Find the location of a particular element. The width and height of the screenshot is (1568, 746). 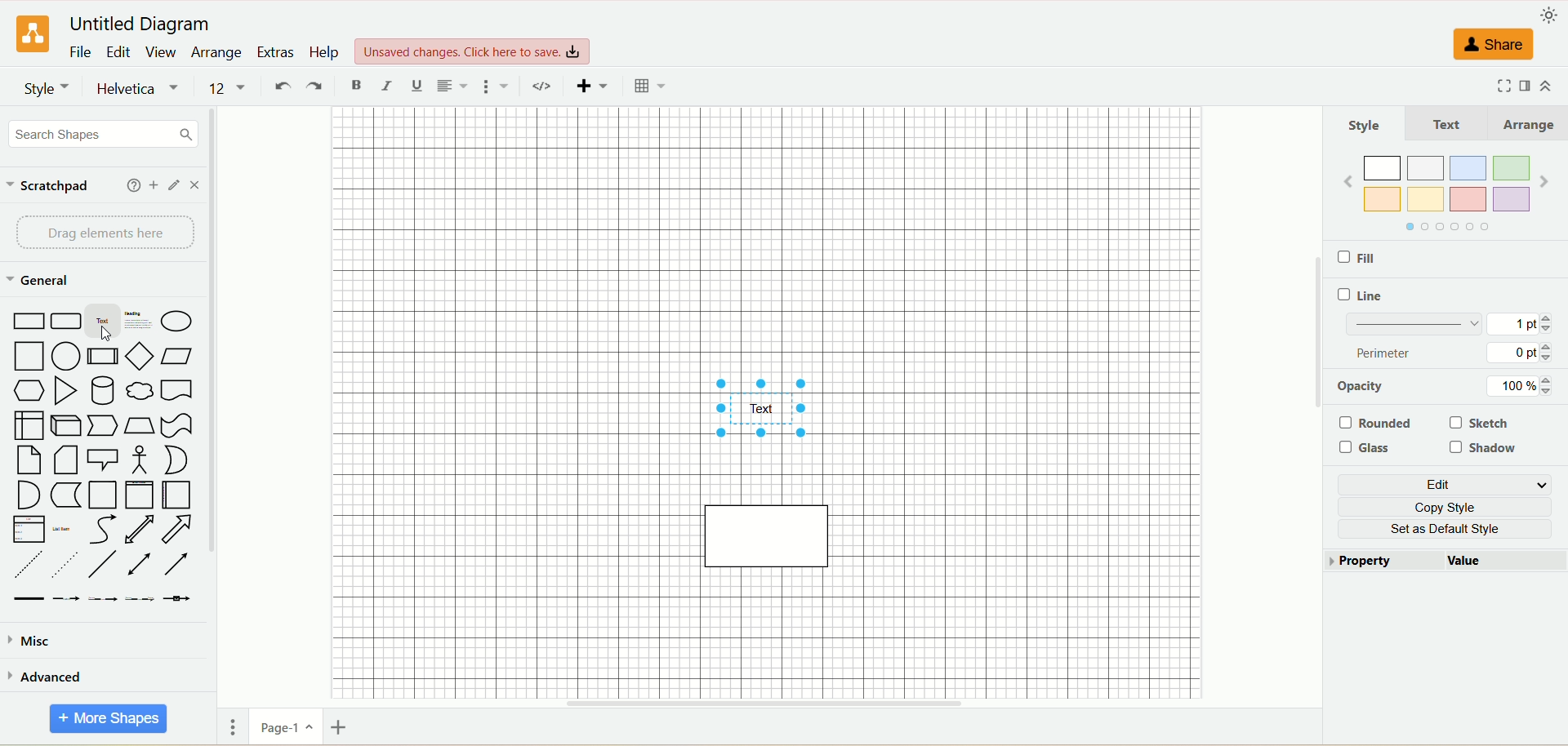

share is located at coordinates (1490, 49).